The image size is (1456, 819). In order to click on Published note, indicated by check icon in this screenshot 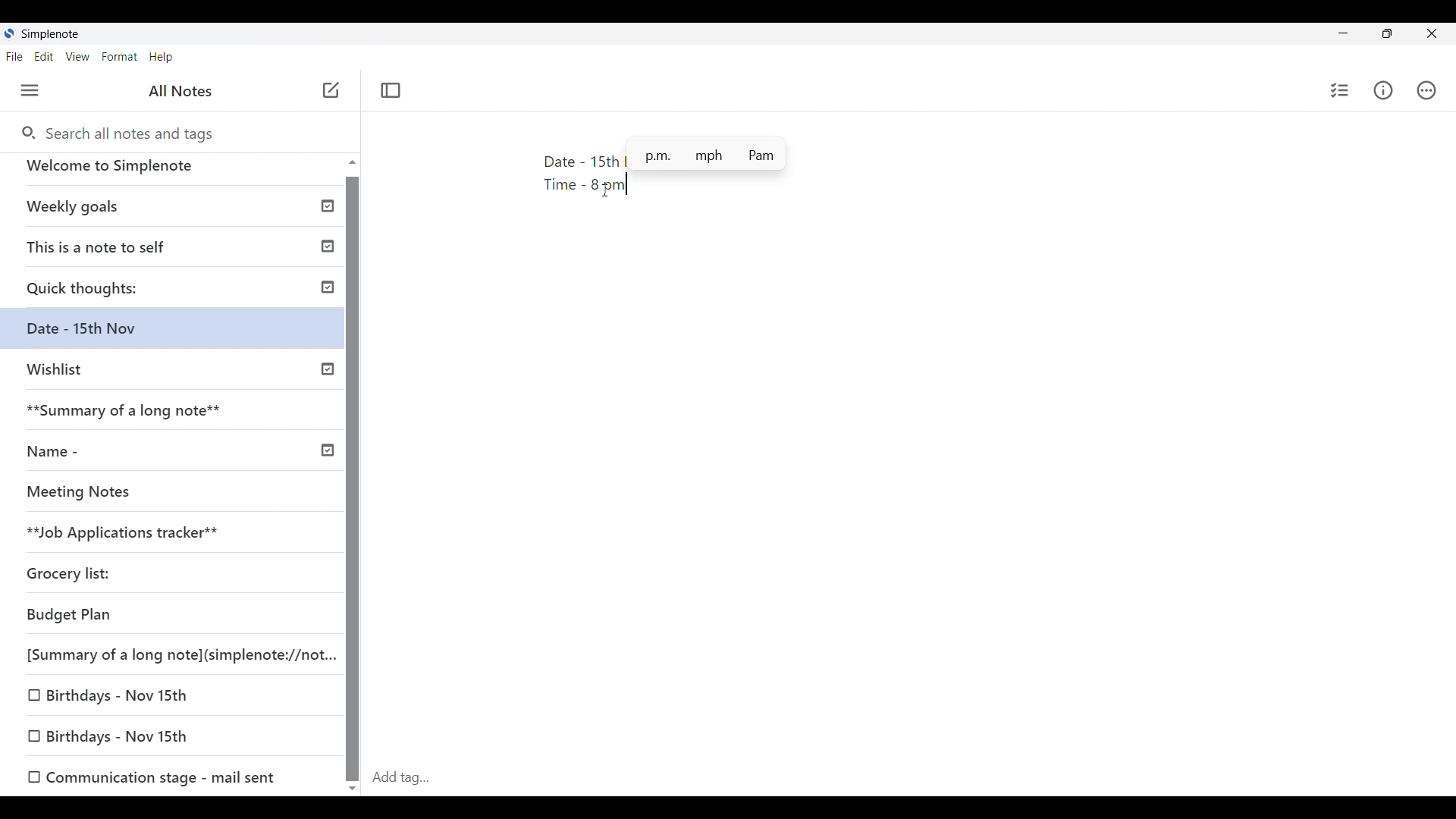, I will do `click(178, 416)`.